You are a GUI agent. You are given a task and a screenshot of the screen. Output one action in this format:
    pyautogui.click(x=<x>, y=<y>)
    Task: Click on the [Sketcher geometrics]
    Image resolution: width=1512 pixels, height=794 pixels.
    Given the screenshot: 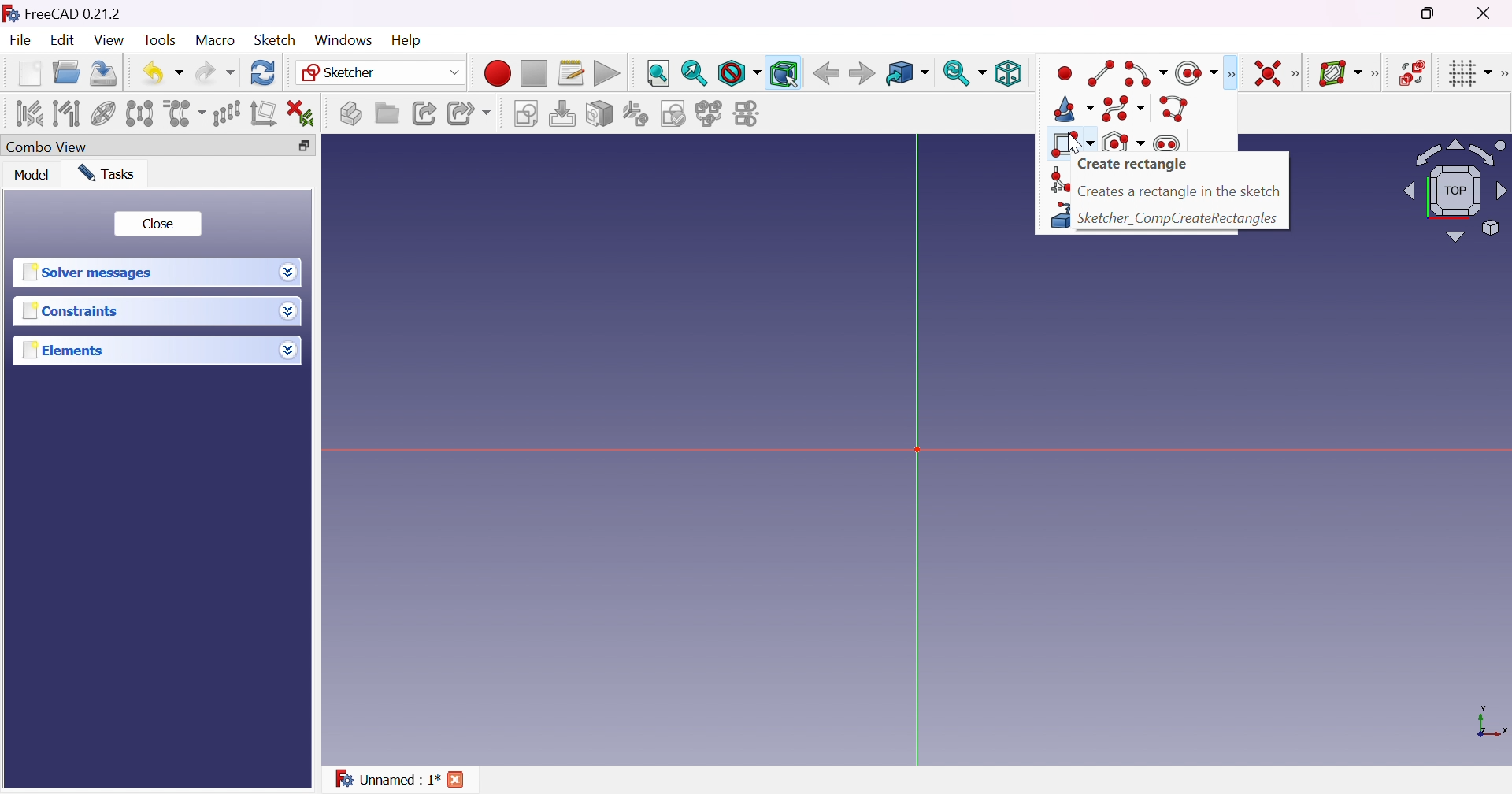 What is the action you would take?
    pyautogui.click(x=1230, y=74)
    